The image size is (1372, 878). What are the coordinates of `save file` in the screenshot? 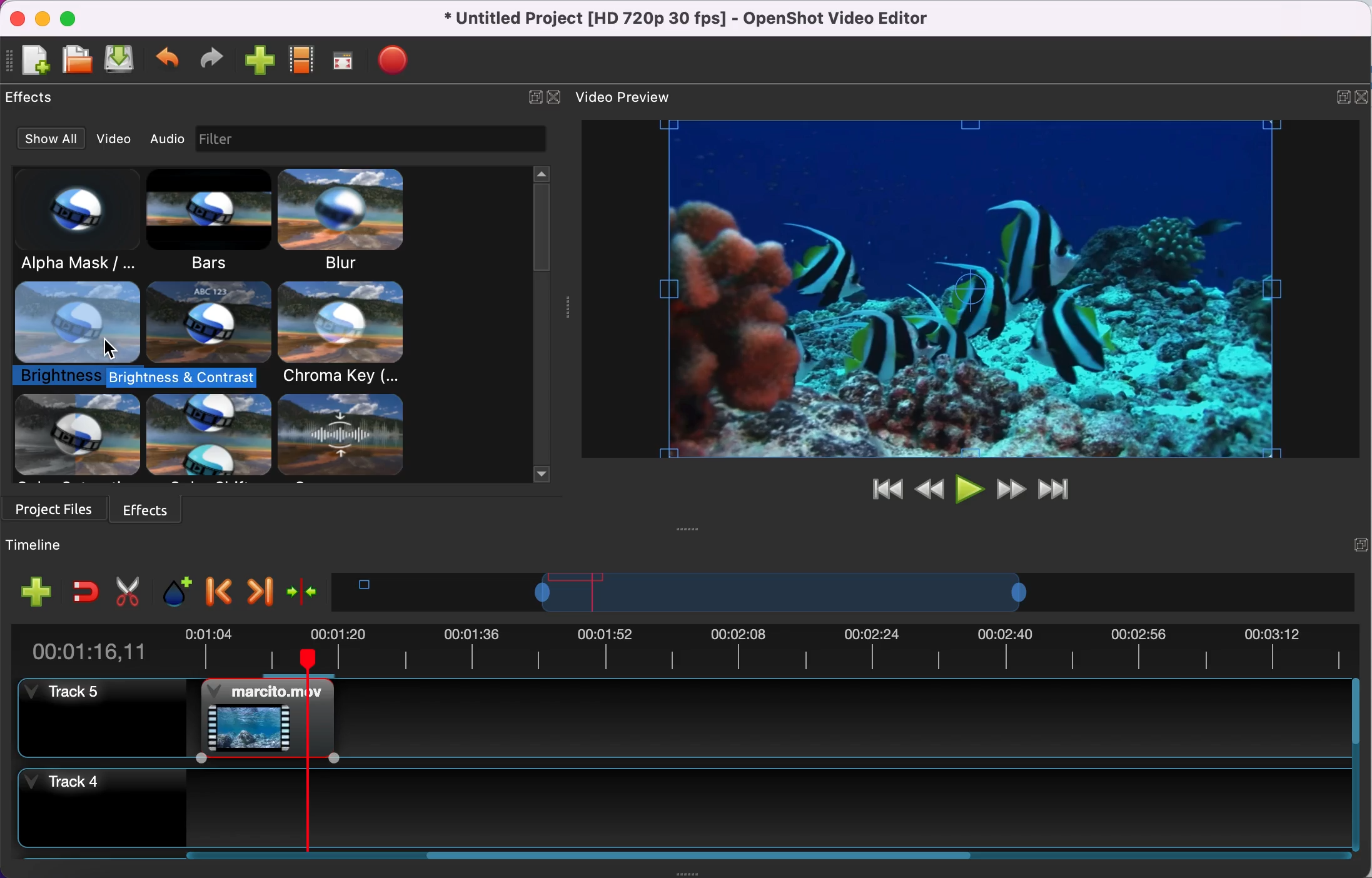 It's located at (122, 61).